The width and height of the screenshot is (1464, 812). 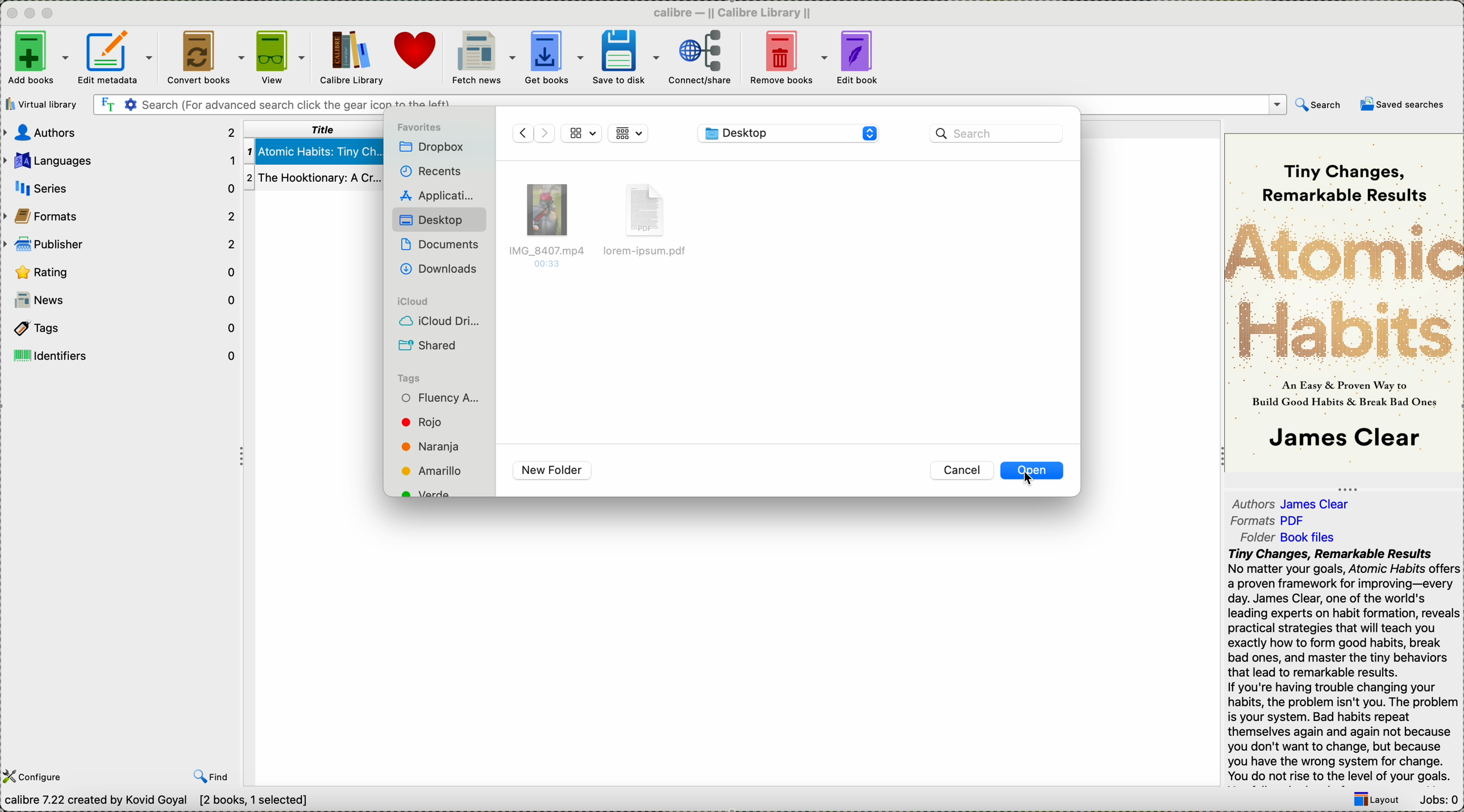 What do you see at coordinates (411, 377) in the screenshot?
I see `tags` at bounding box center [411, 377].